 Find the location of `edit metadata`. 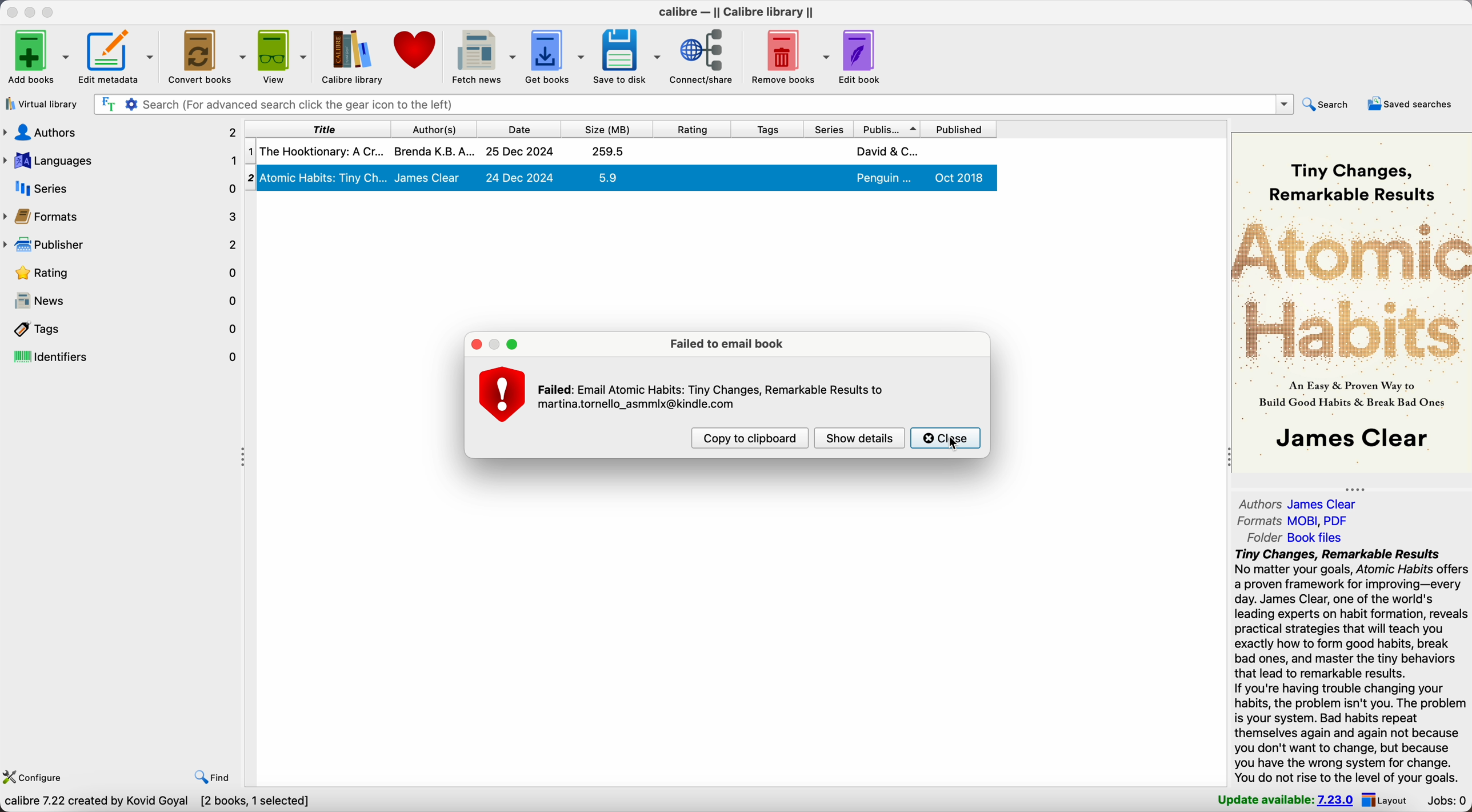

edit metadata is located at coordinates (119, 58).